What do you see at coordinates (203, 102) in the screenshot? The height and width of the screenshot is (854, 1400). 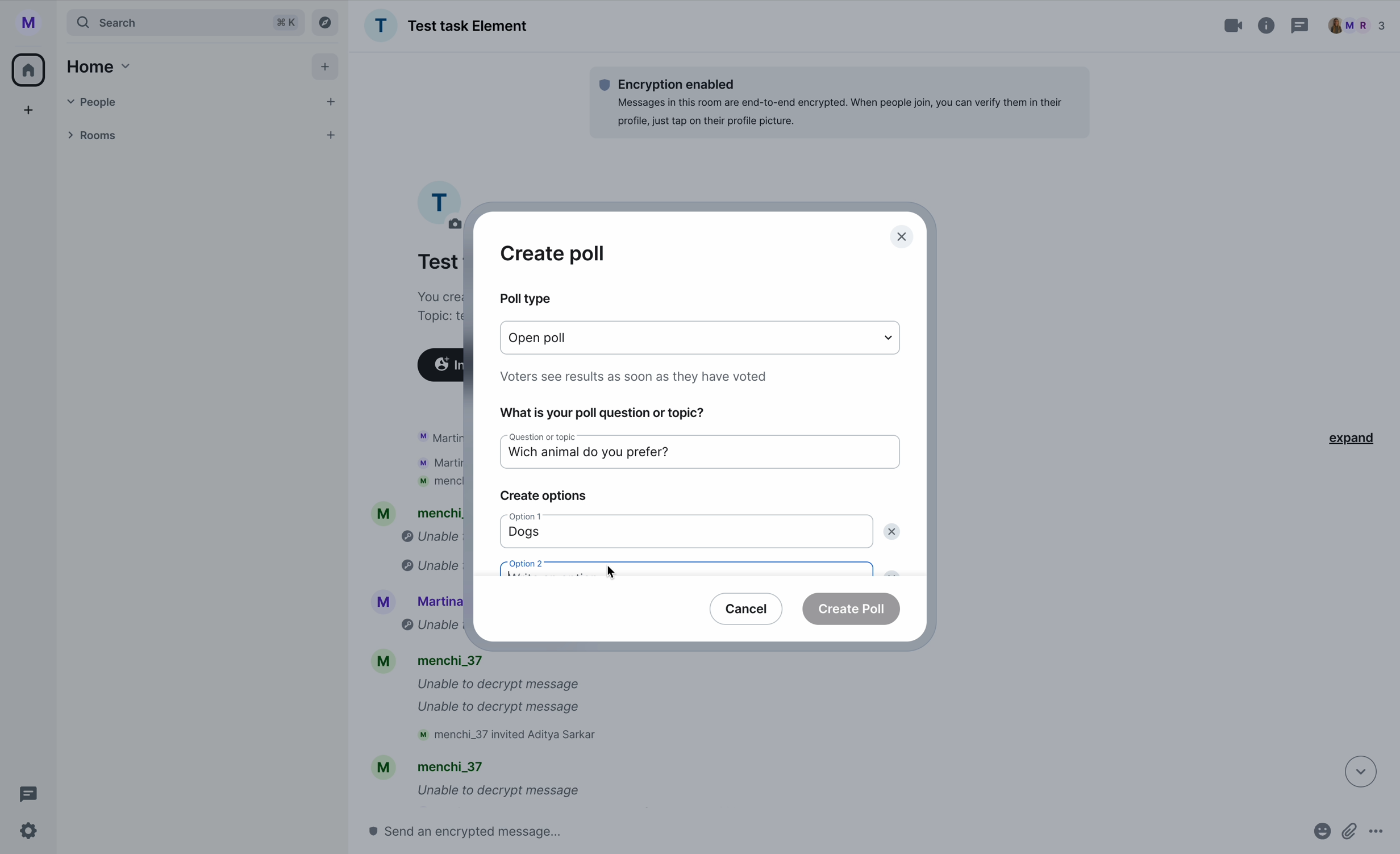 I see `people tab` at bounding box center [203, 102].